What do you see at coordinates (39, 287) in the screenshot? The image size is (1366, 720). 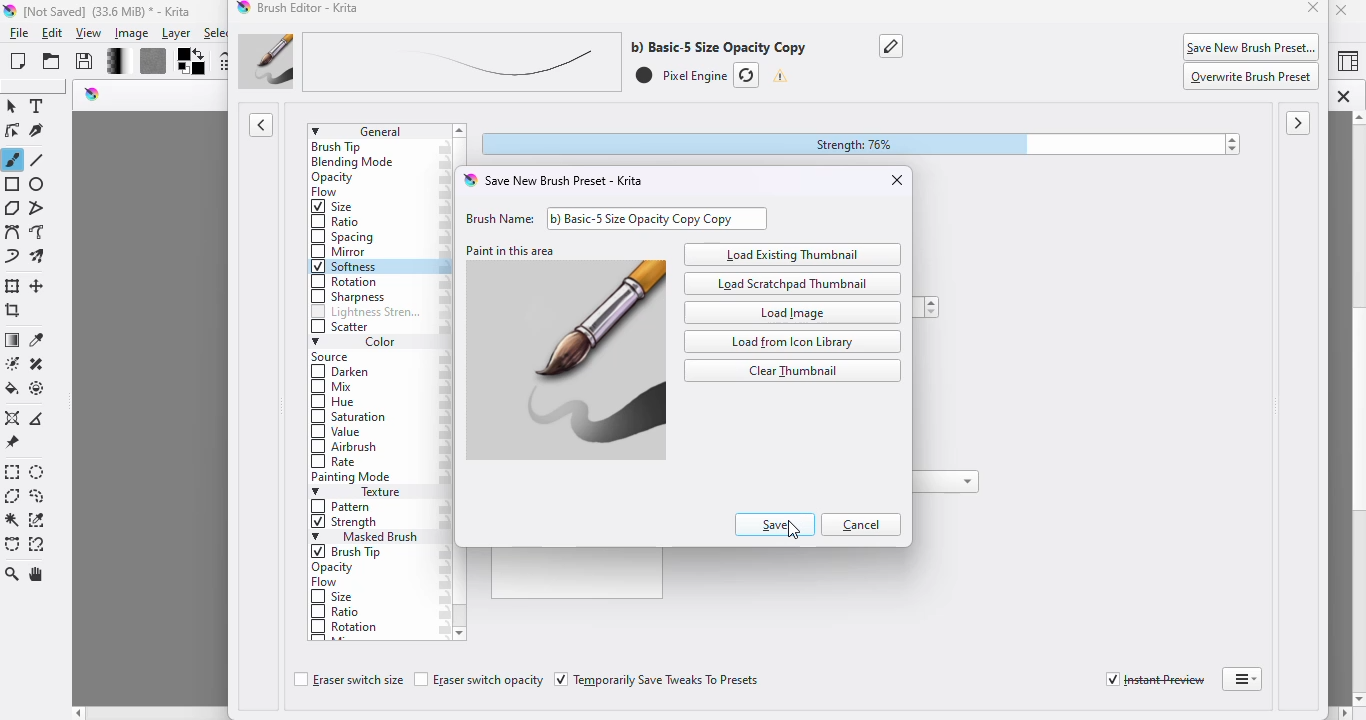 I see `move a layer` at bounding box center [39, 287].